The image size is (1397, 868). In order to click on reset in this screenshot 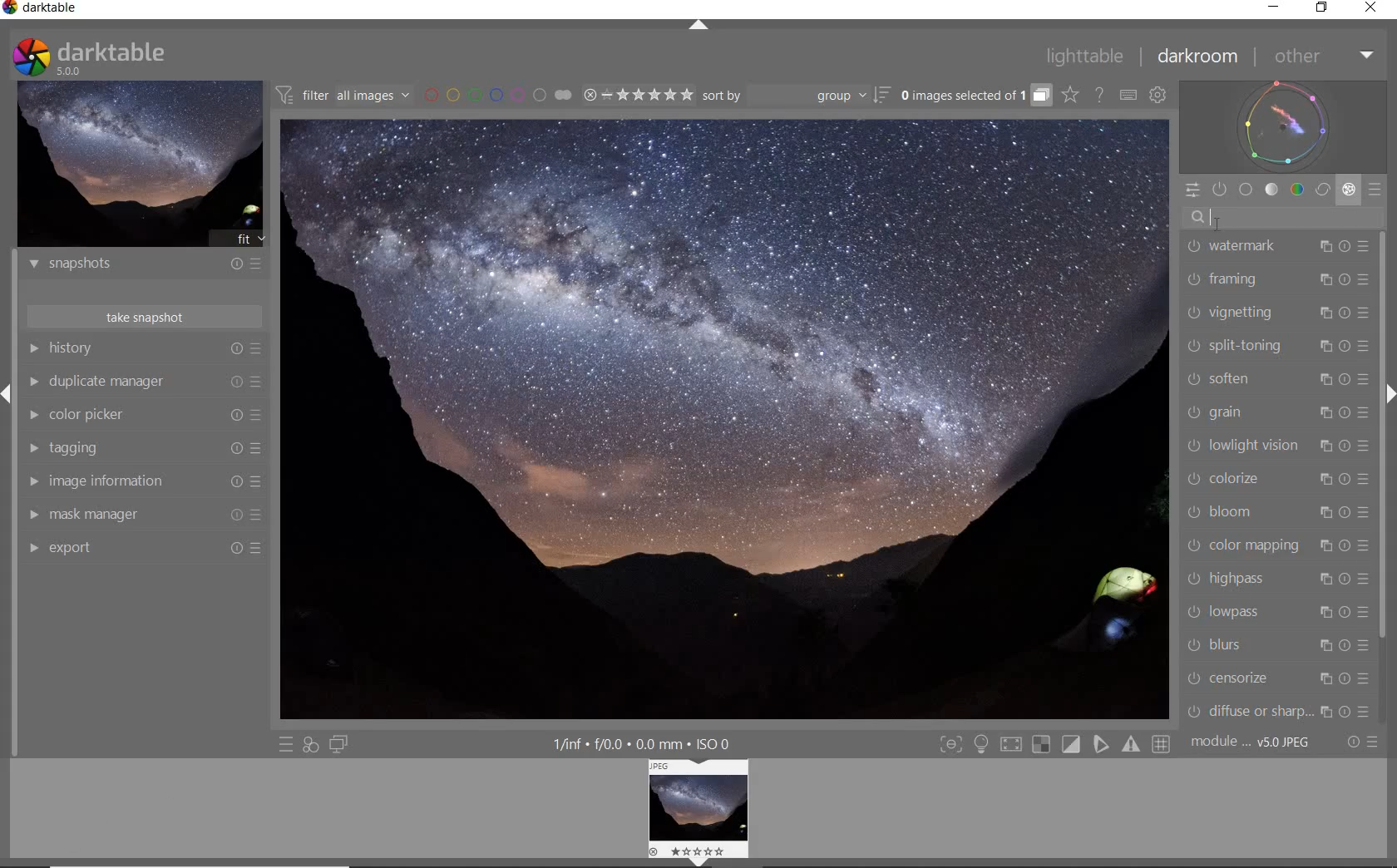, I will do `click(235, 349)`.